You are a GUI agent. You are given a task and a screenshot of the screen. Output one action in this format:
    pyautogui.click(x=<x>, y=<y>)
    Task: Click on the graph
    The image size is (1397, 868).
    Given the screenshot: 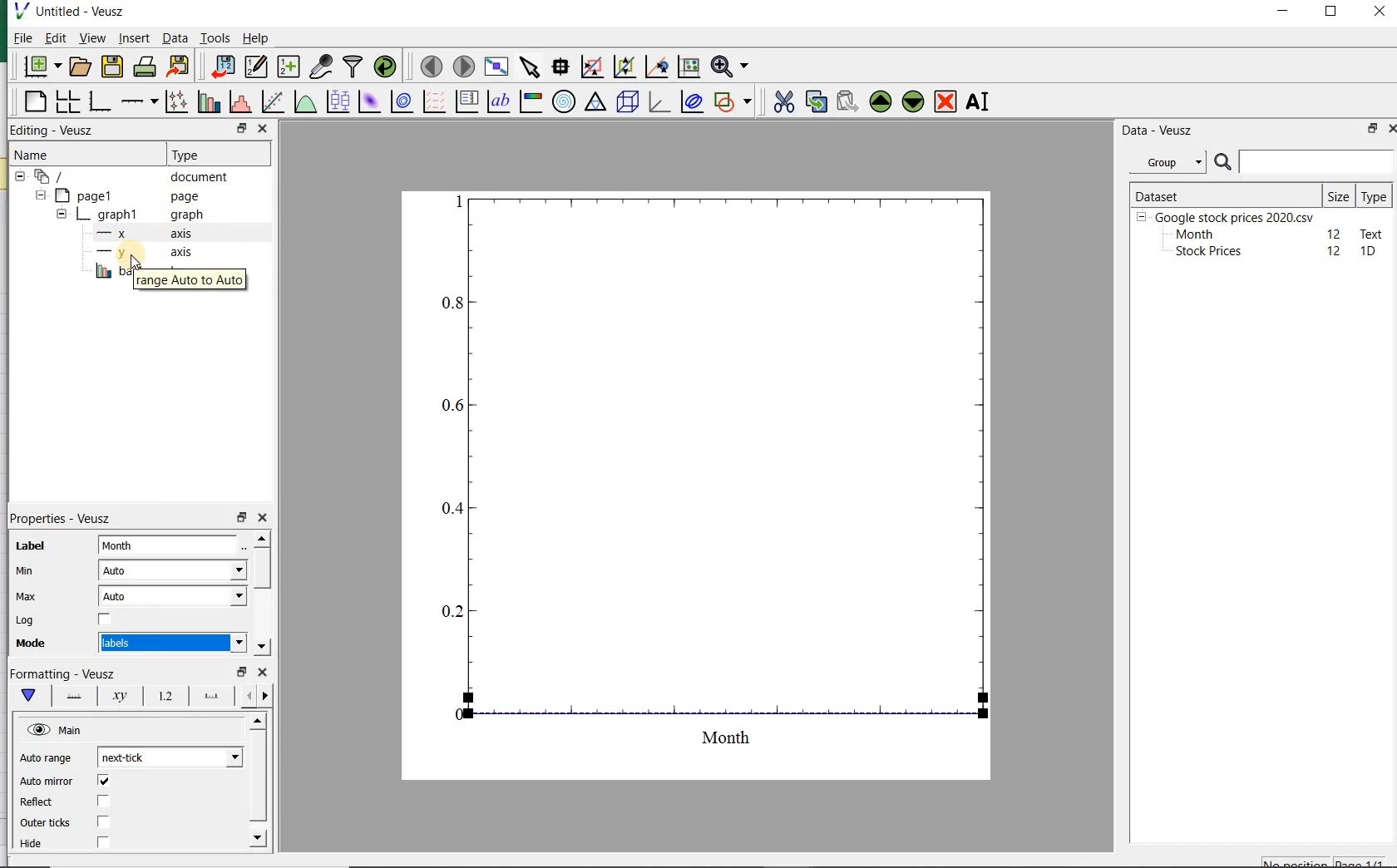 What is the action you would take?
    pyautogui.click(x=704, y=481)
    